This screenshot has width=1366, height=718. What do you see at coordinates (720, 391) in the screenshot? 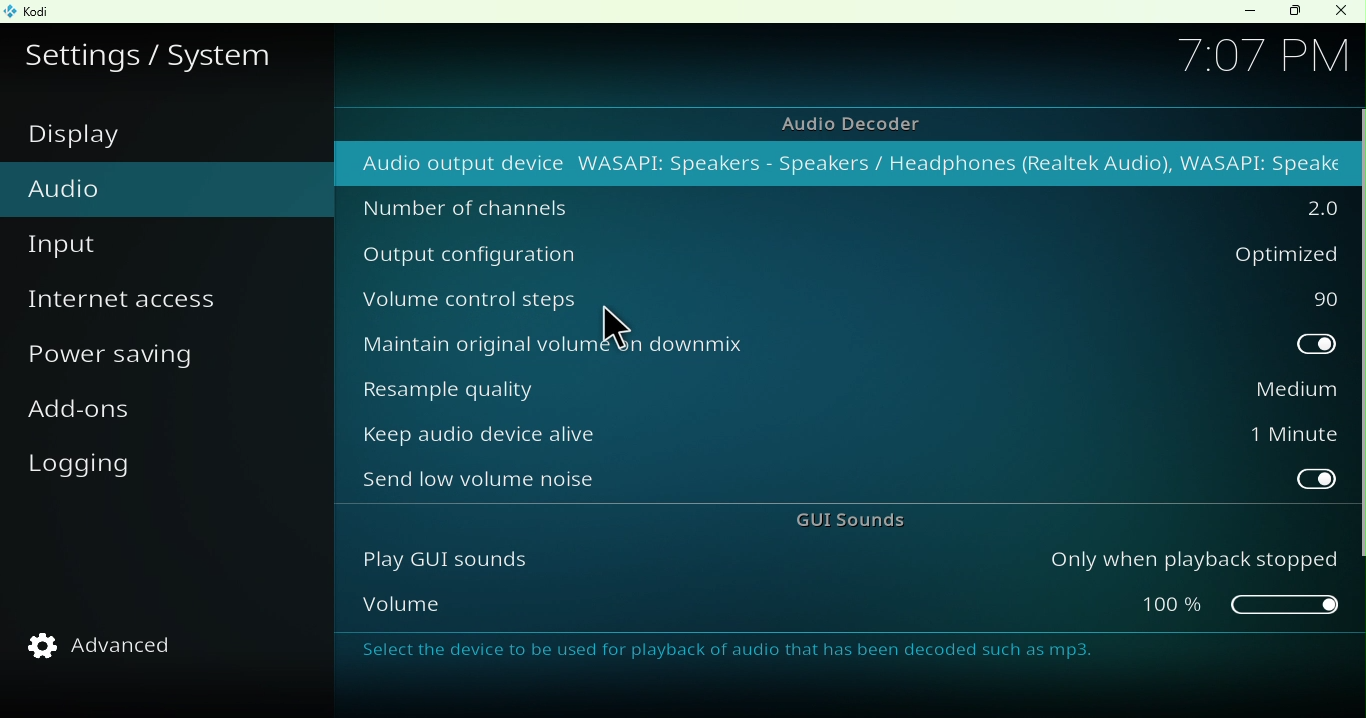
I see `Resample quality` at bounding box center [720, 391].